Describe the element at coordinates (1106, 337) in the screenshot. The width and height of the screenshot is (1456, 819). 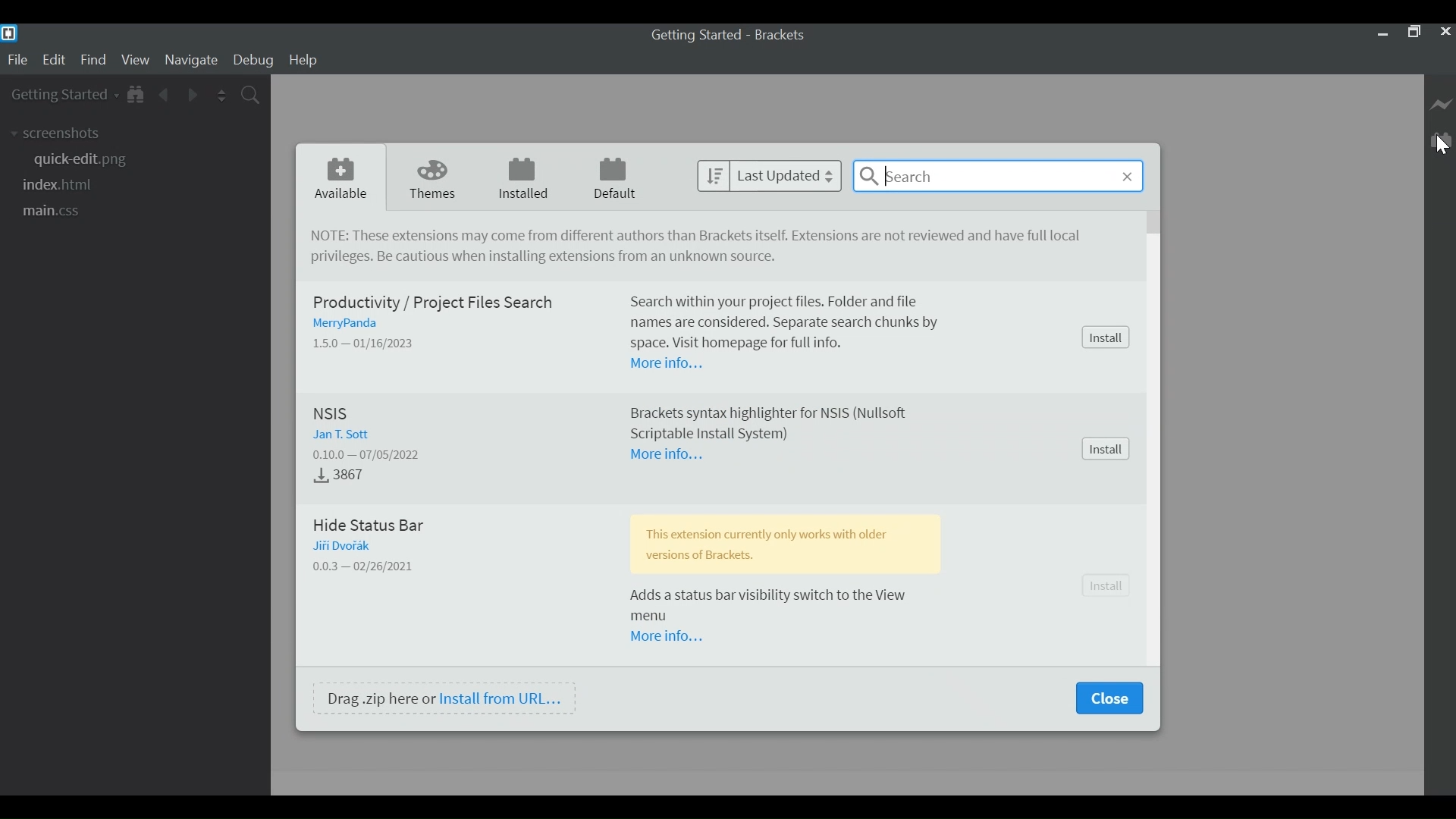
I see `Install` at that location.